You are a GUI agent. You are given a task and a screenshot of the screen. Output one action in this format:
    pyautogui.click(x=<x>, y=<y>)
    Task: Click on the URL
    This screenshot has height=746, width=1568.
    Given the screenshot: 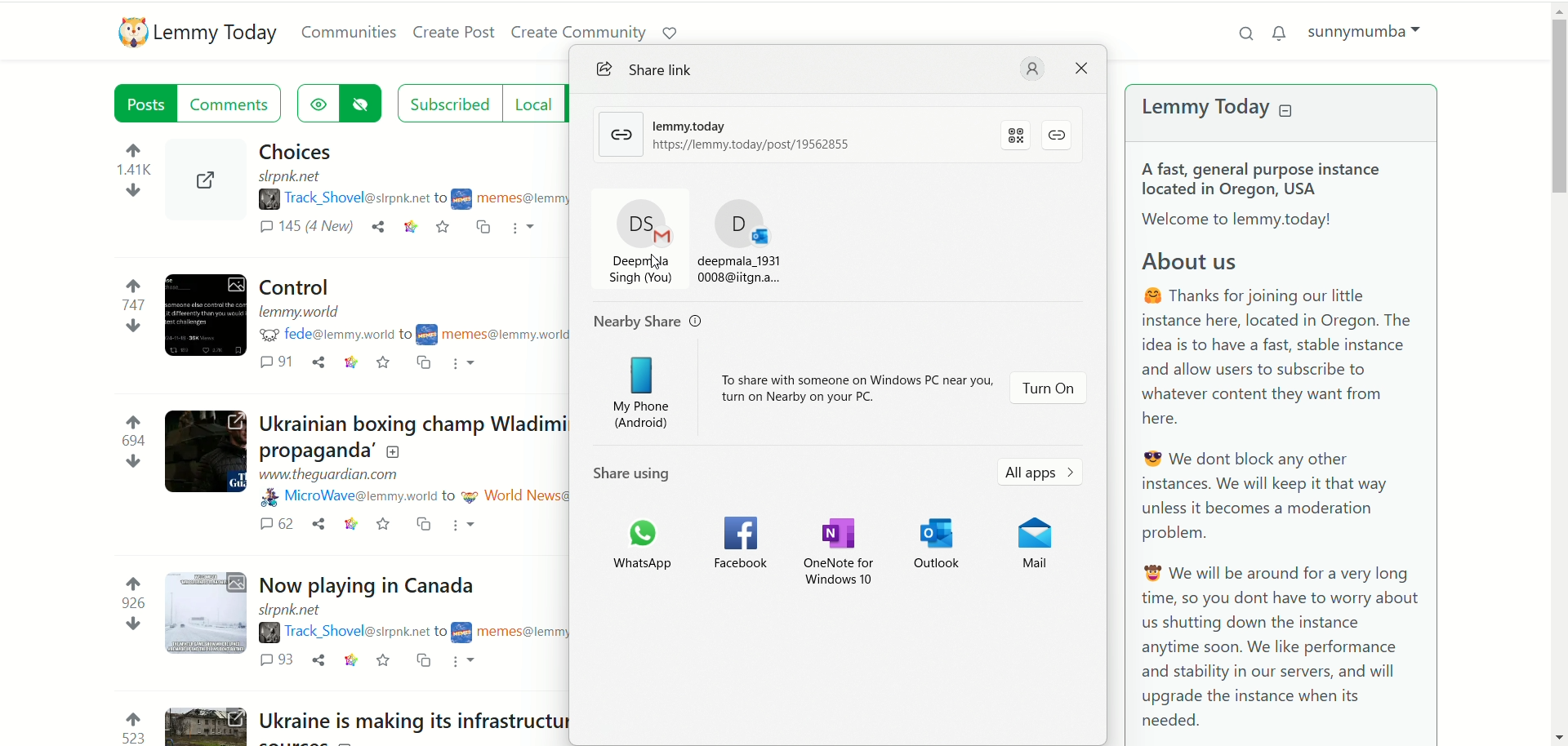 What is the action you would take?
    pyautogui.click(x=332, y=476)
    